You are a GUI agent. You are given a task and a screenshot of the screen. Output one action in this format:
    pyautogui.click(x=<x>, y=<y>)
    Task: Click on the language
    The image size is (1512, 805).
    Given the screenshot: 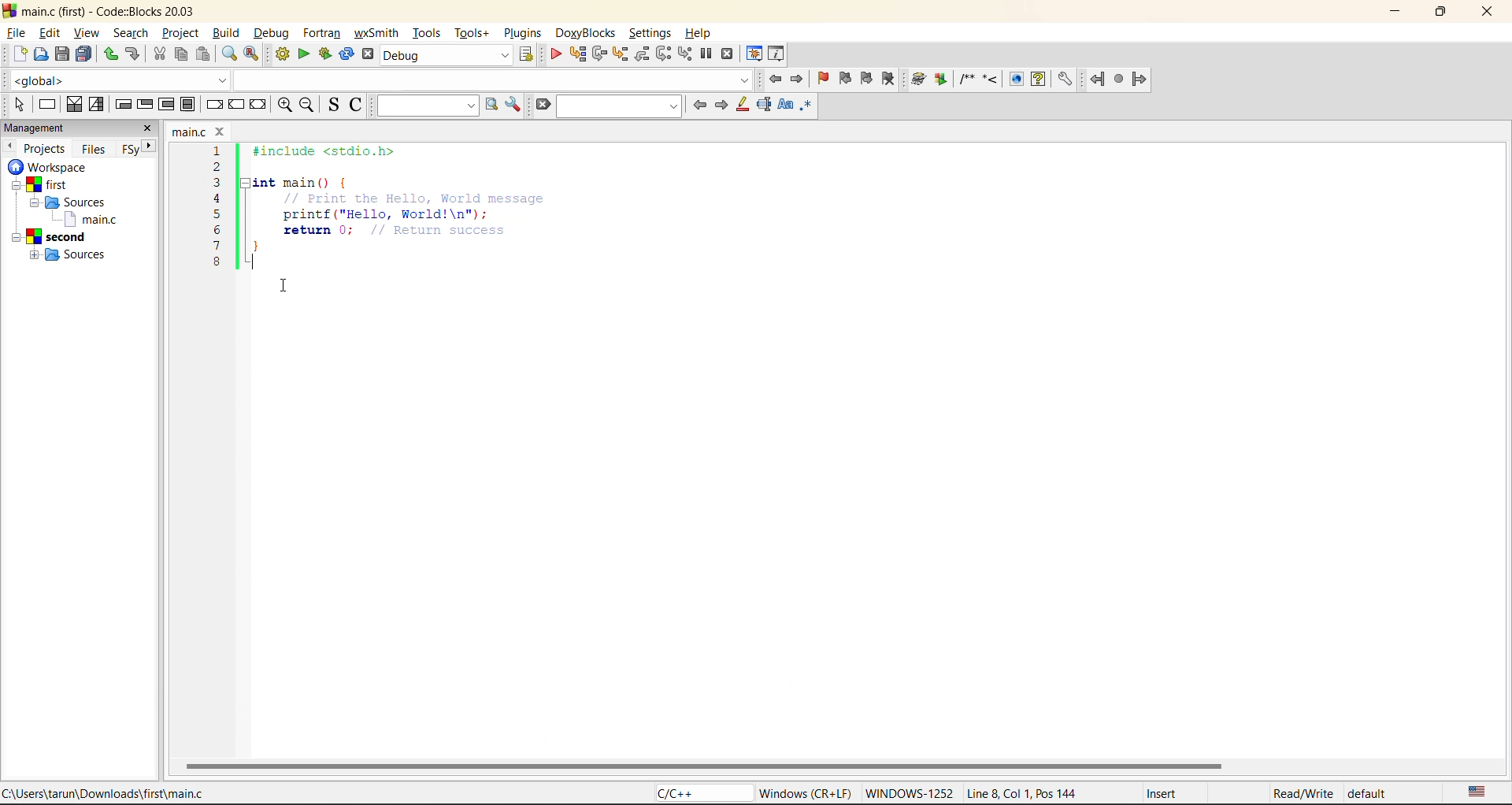 What is the action you would take?
    pyautogui.click(x=700, y=794)
    